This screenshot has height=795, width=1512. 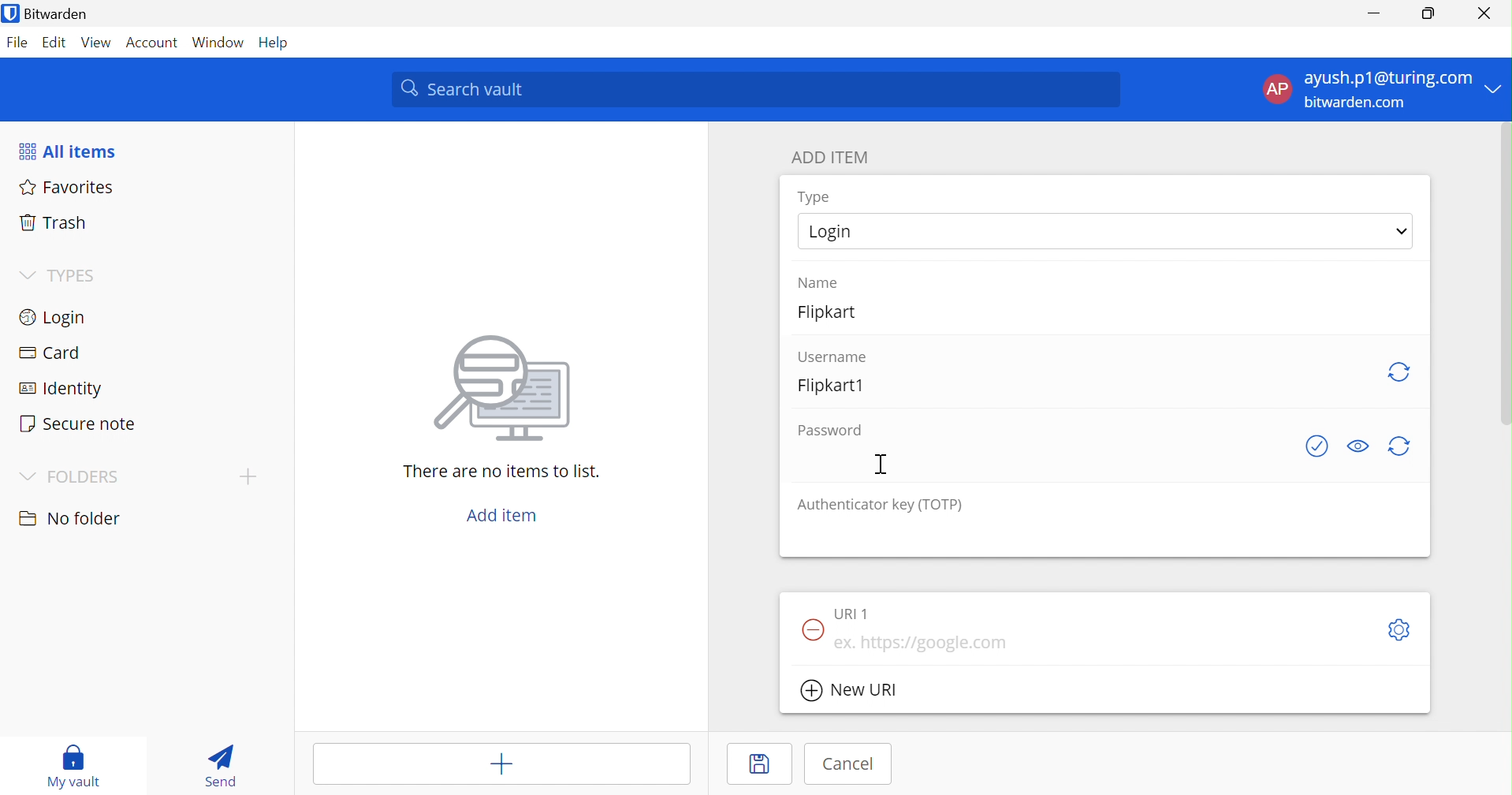 What do you see at coordinates (1400, 447) in the screenshot?
I see `generate password` at bounding box center [1400, 447].